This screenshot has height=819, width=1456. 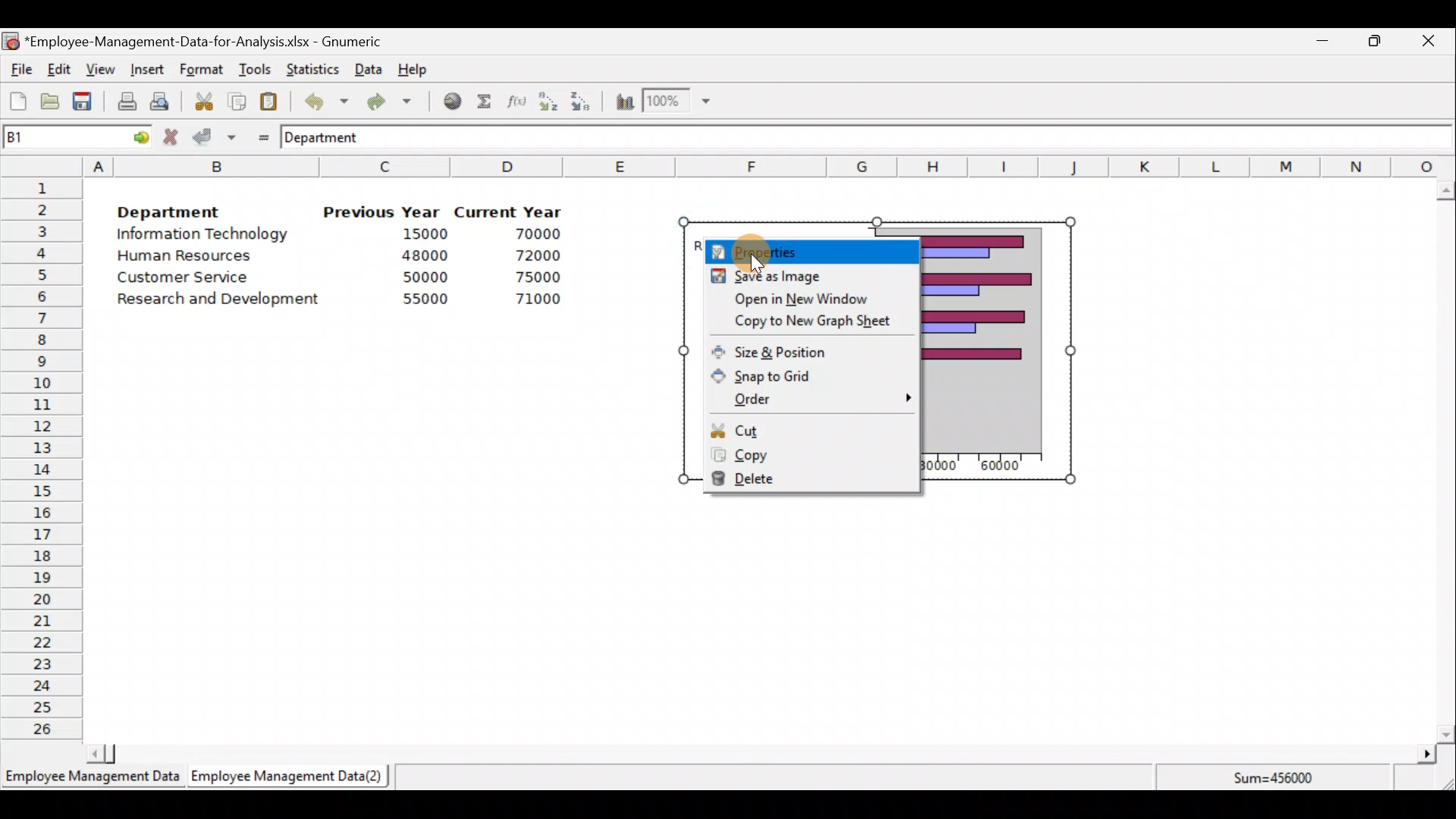 What do you see at coordinates (529, 256) in the screenshot?
I see `72000` at bounding box center [529, 256].